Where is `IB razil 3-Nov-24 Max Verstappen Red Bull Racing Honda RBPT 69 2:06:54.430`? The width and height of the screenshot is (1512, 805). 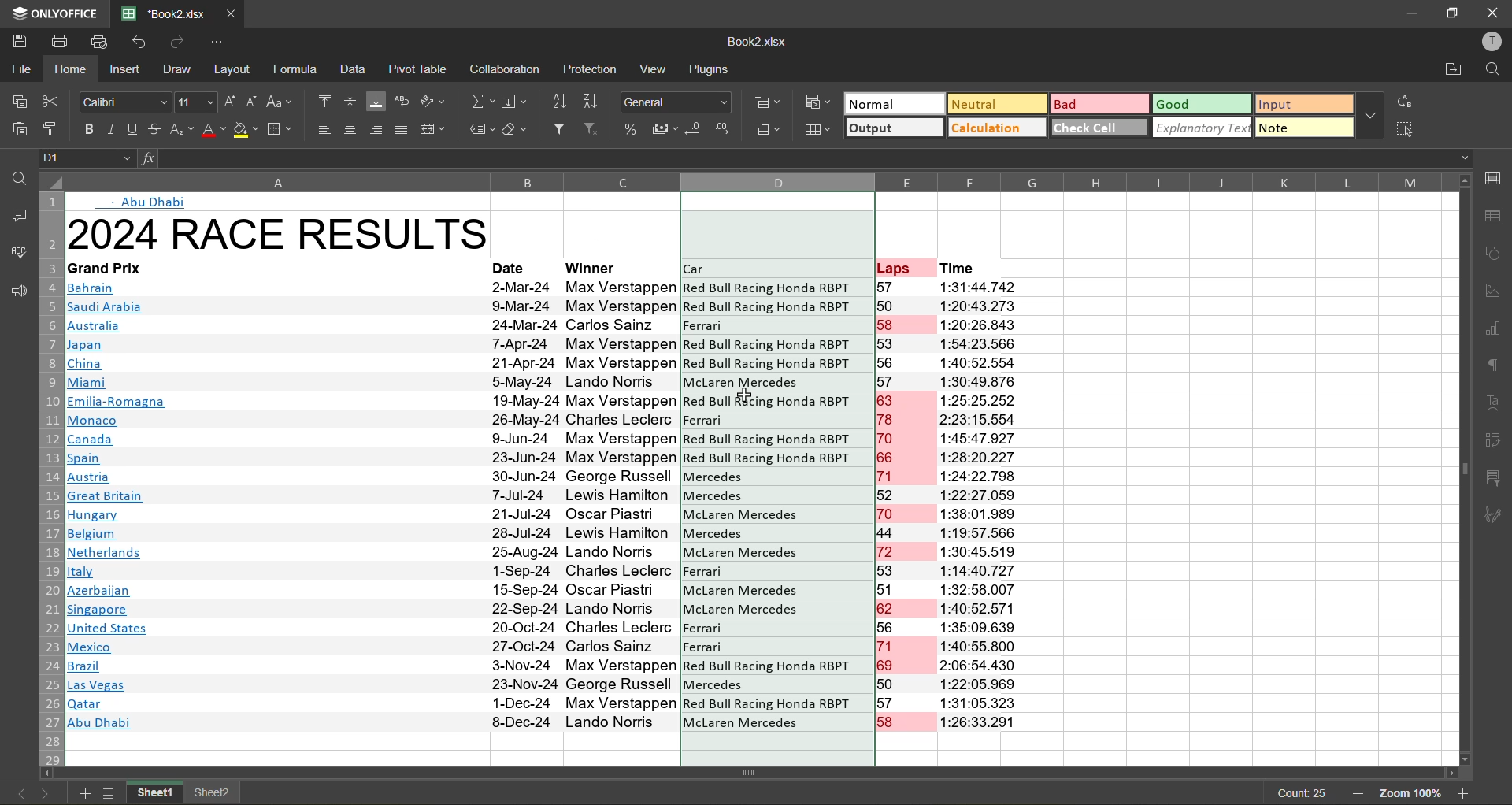 IB razil 3-Nov-24 Max Verstappen Red Bull Racing Honda RBPT 69 2:06:54.430 is located at coordinates (543, 667).